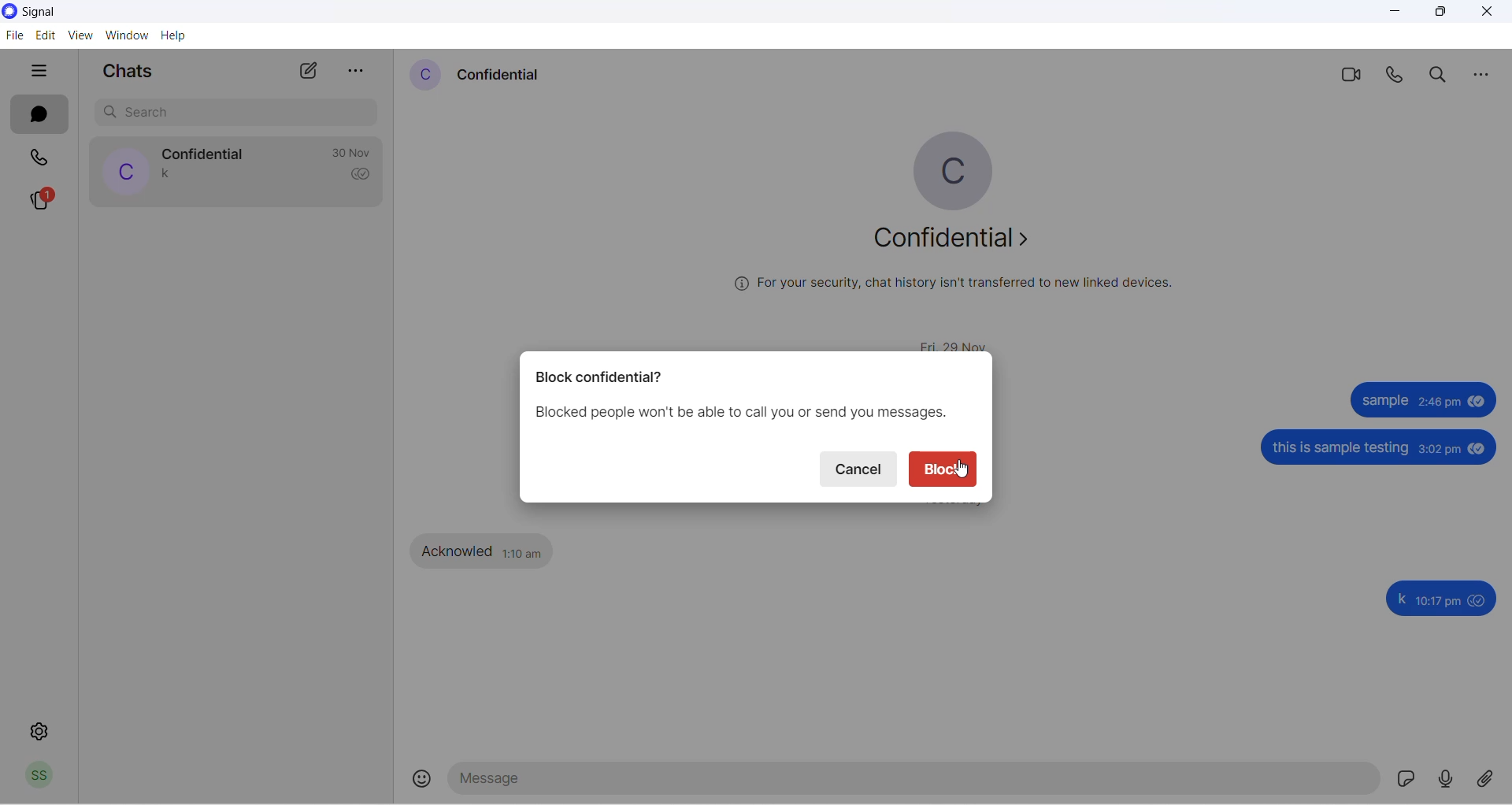  I want to click on chats heading, so click(129, 69).